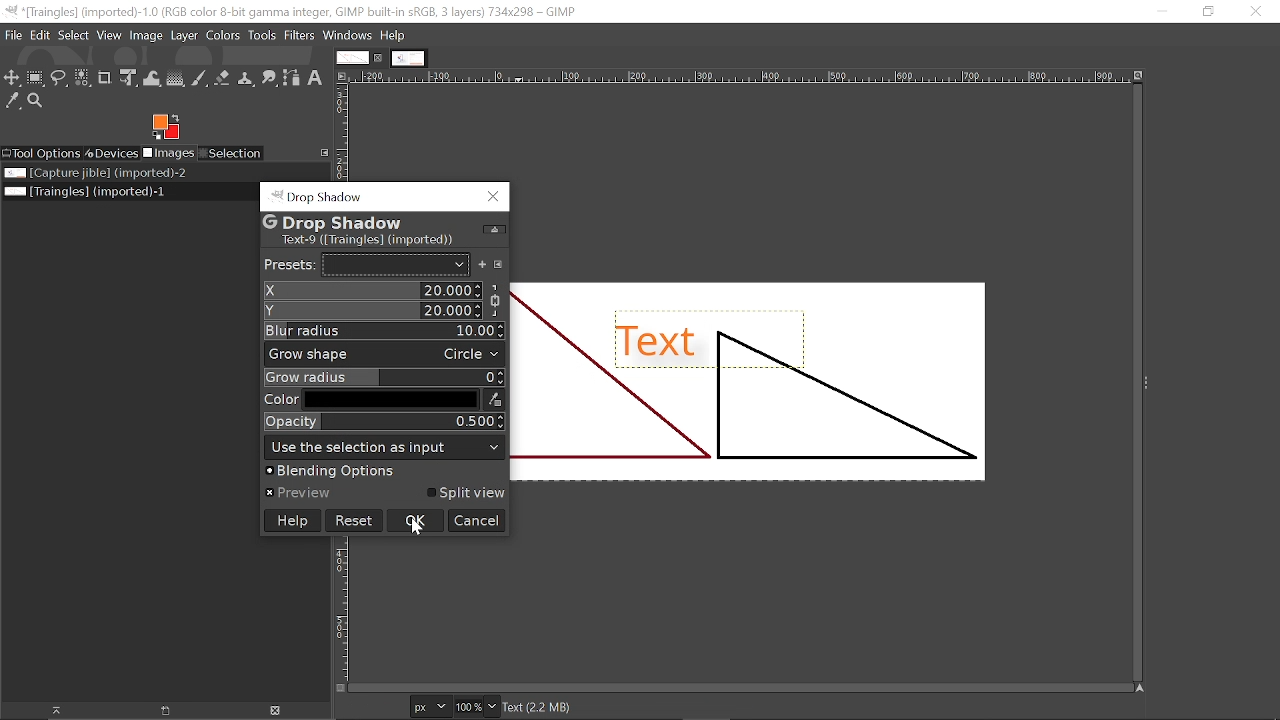  Describe the element at coordinates (385, 353) in the screenshot. I see `Grow shape` at that location.